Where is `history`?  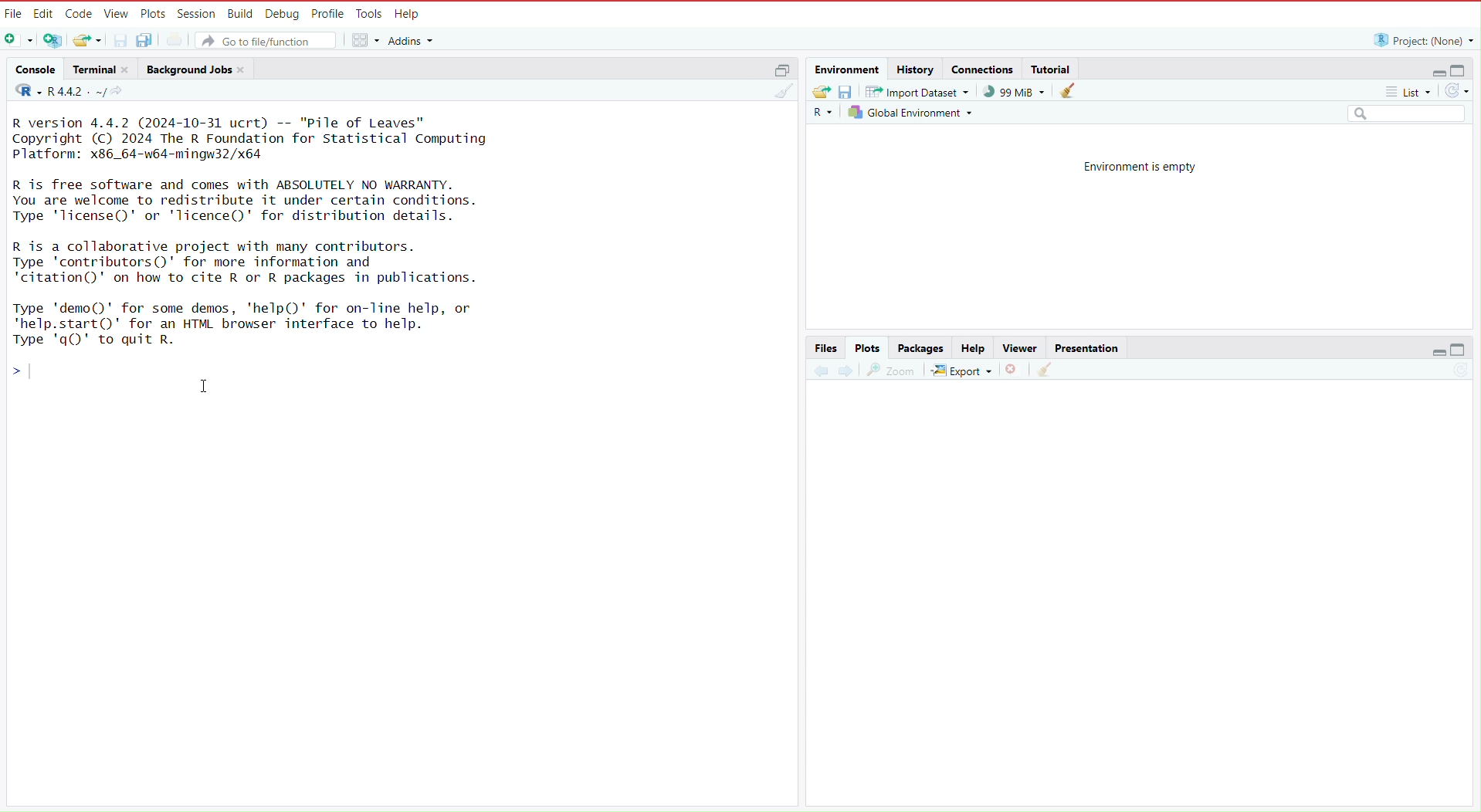
history is located at coordinates (915, 69).